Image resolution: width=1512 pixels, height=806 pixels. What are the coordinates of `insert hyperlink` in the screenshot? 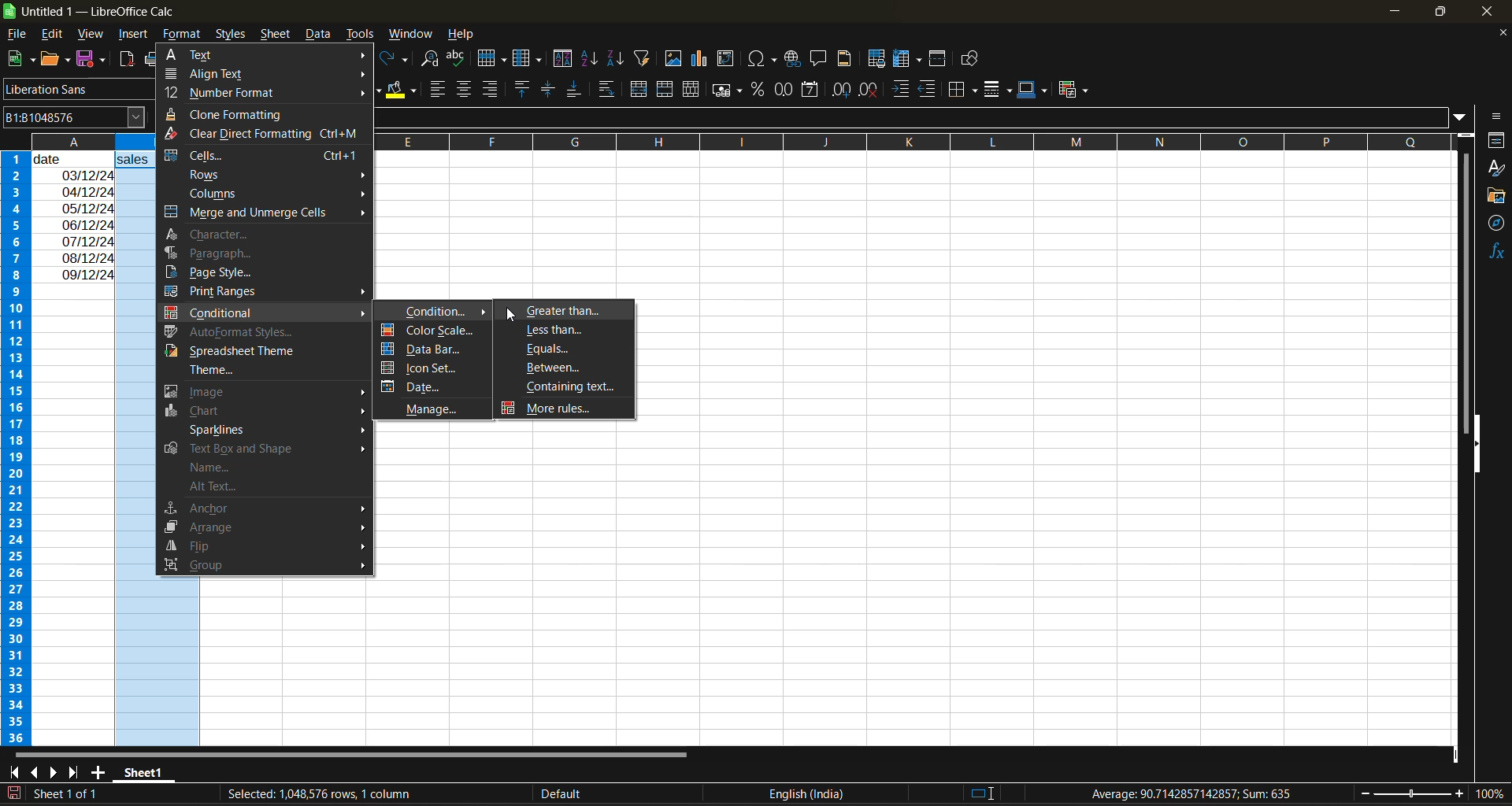 It's located at (794, 60).